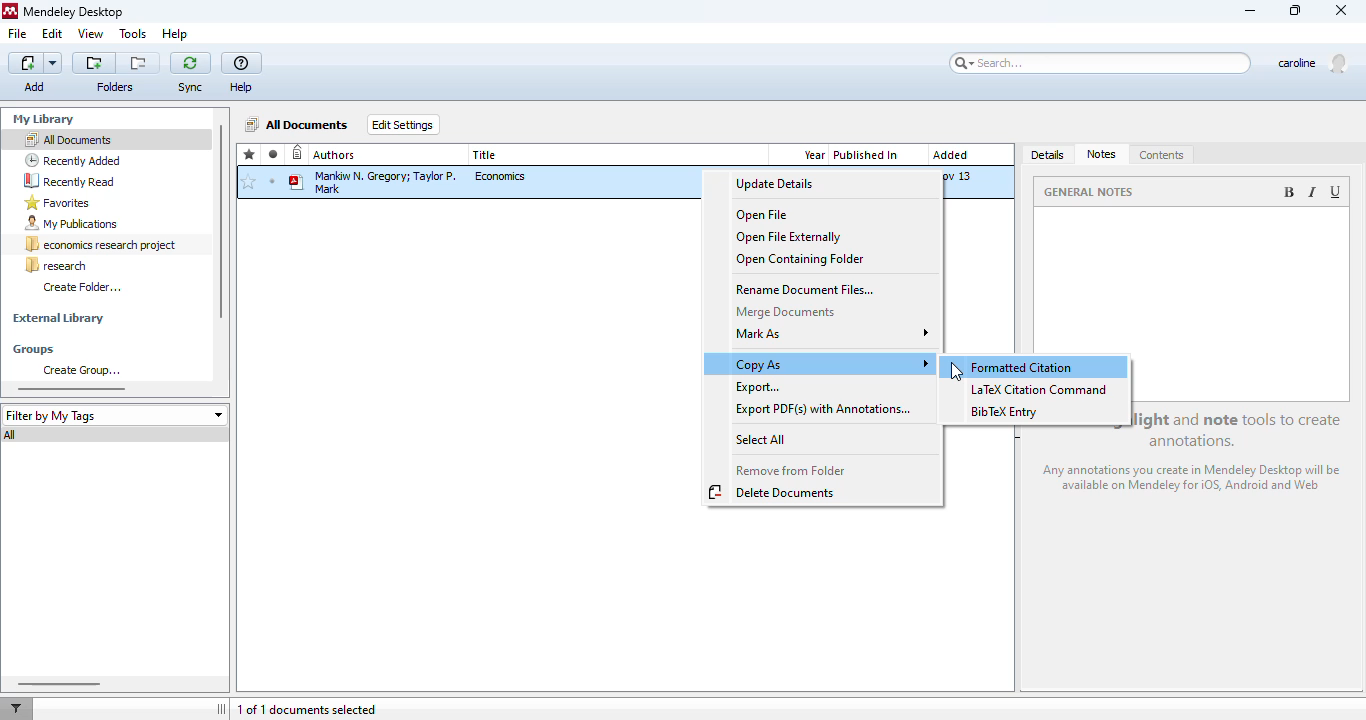 The image size is (1366, 720). I want to click on contents, so click(1162, 156).